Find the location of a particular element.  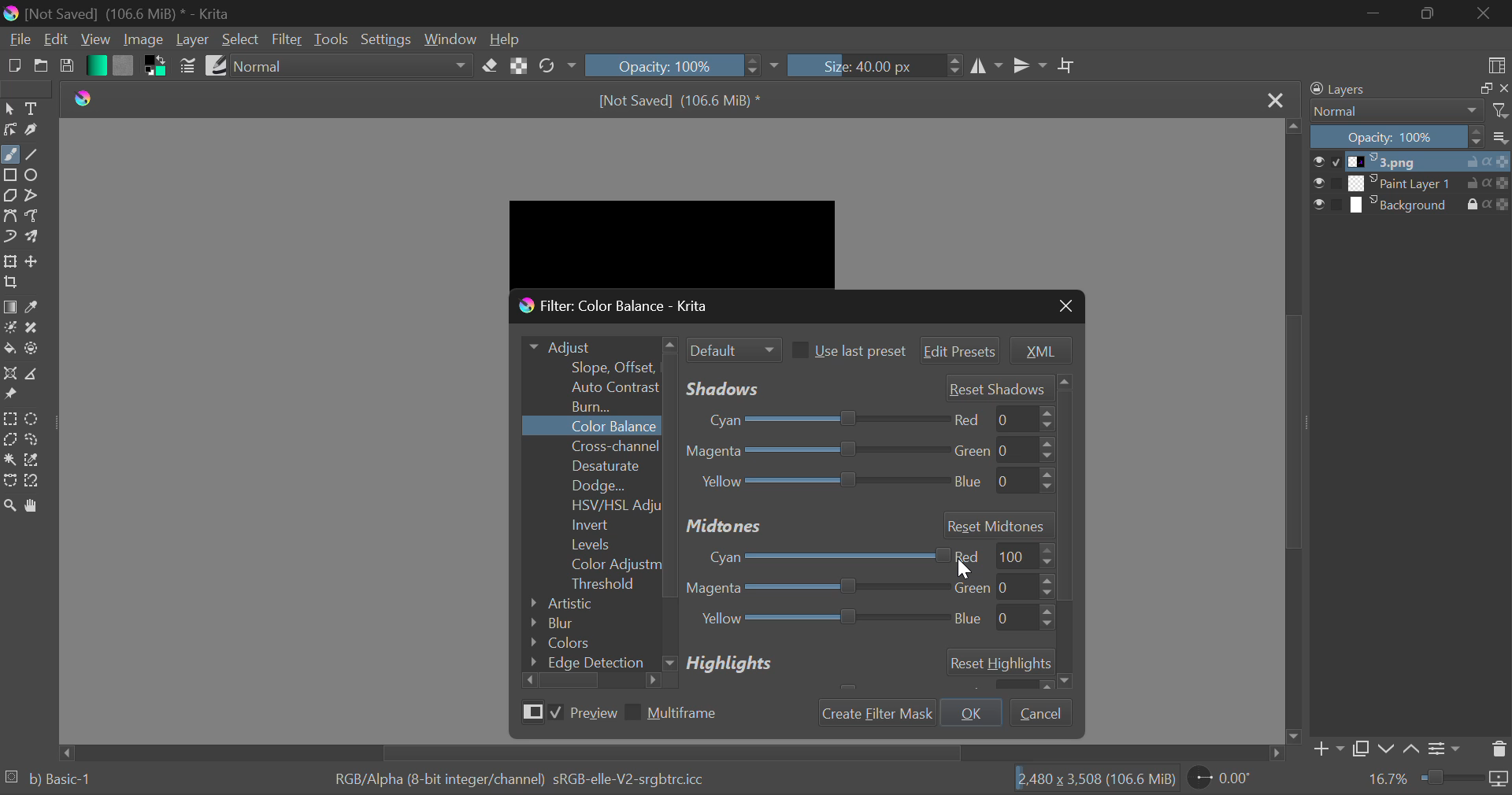

Vertical Mirror Flip is located at coordinates (987, 65).